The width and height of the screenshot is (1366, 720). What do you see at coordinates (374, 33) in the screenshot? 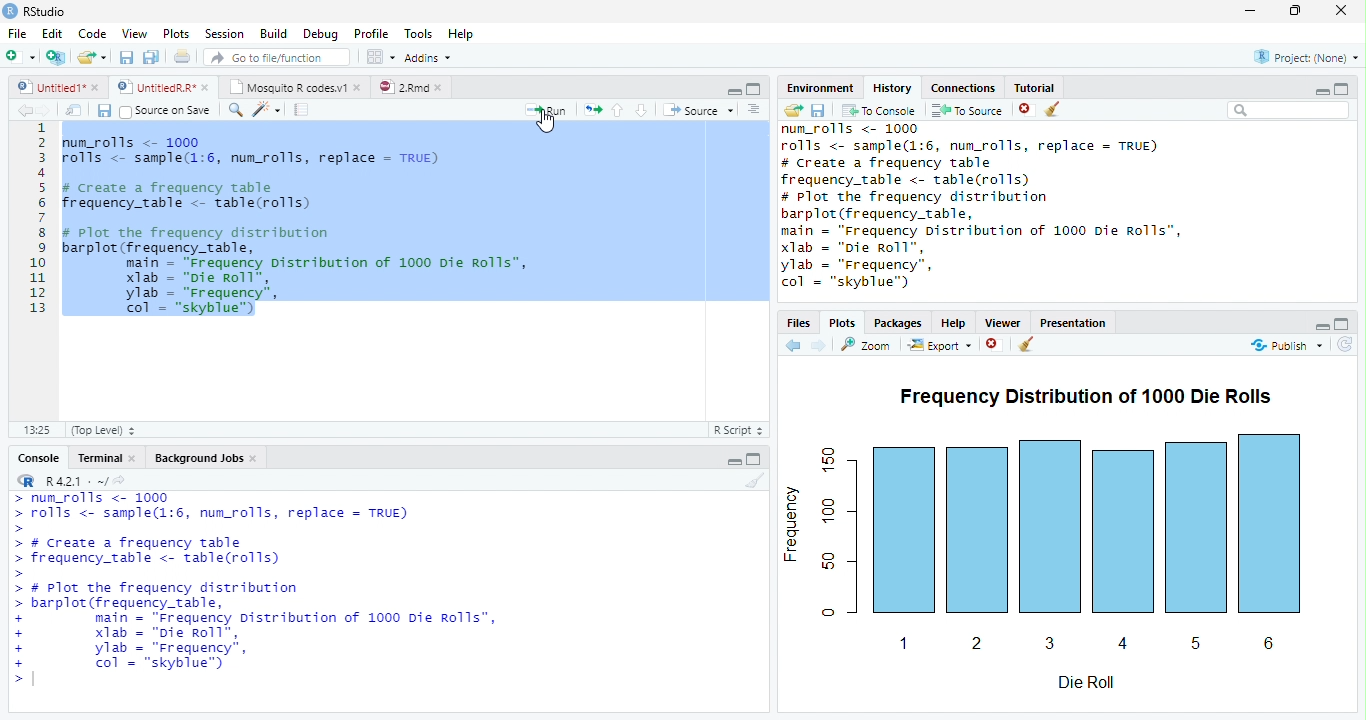
I see `Profile` at bounding box center [374, 33].